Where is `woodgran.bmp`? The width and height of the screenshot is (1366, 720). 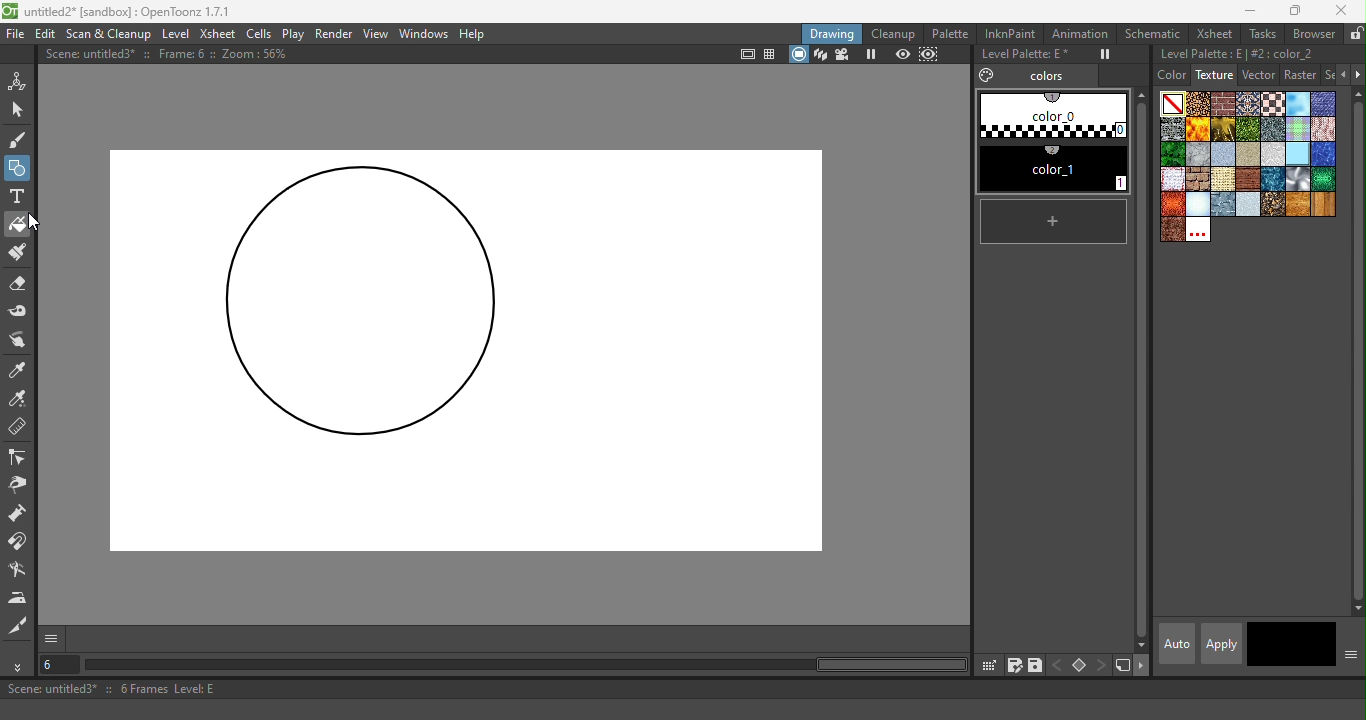 woodgran.bmp is located at coordinates (1298, 204).